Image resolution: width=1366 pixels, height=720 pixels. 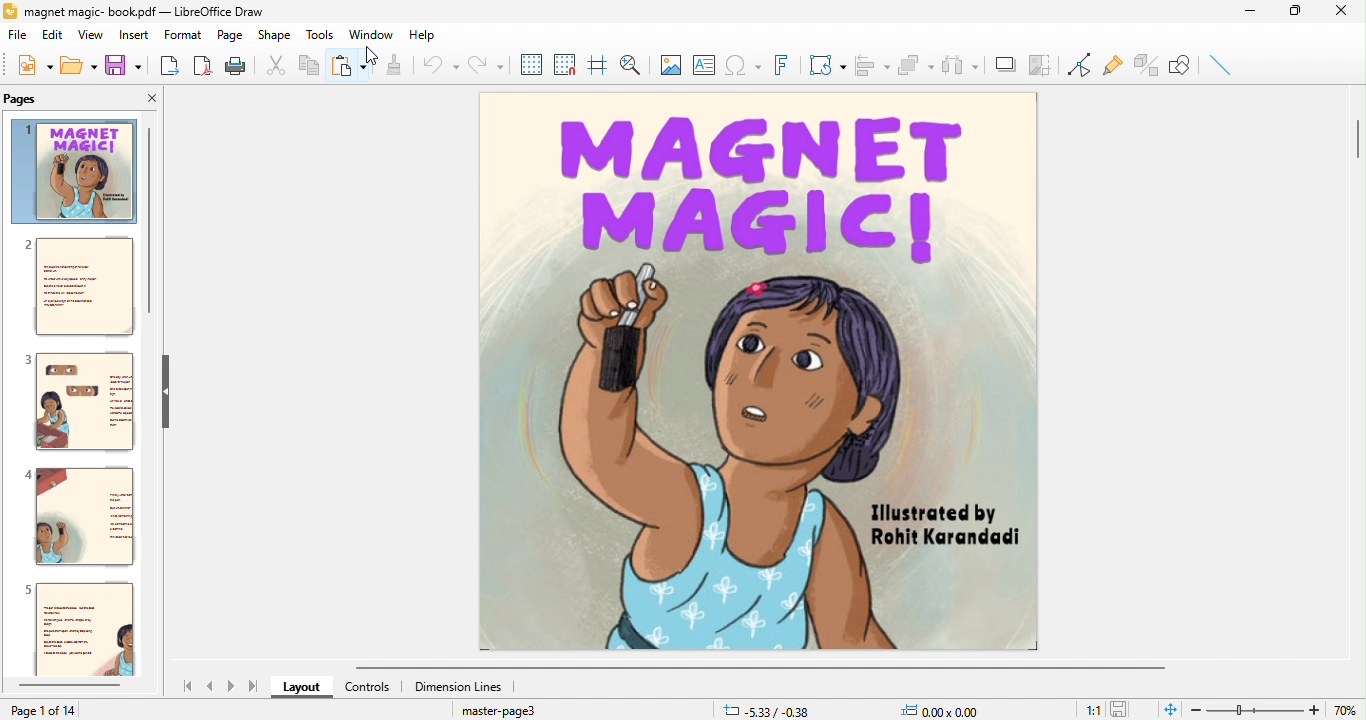 I want to click on the document has not been modified since the last save, so click(x=1127, y=709).